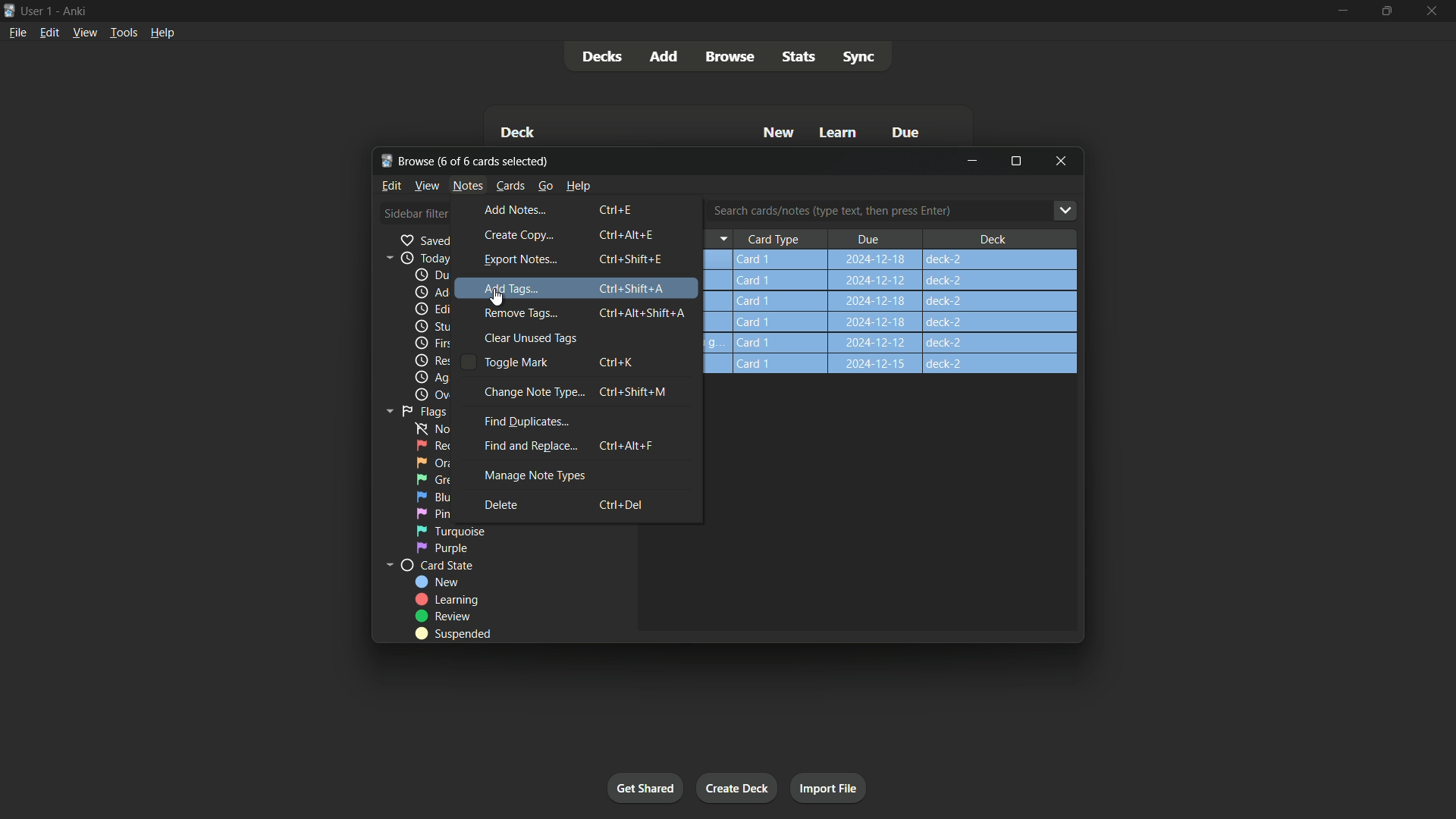 The width and height of the screenshot is (1456, 819). I want to click on Ctrl + Shift + M, so click(633, 391).